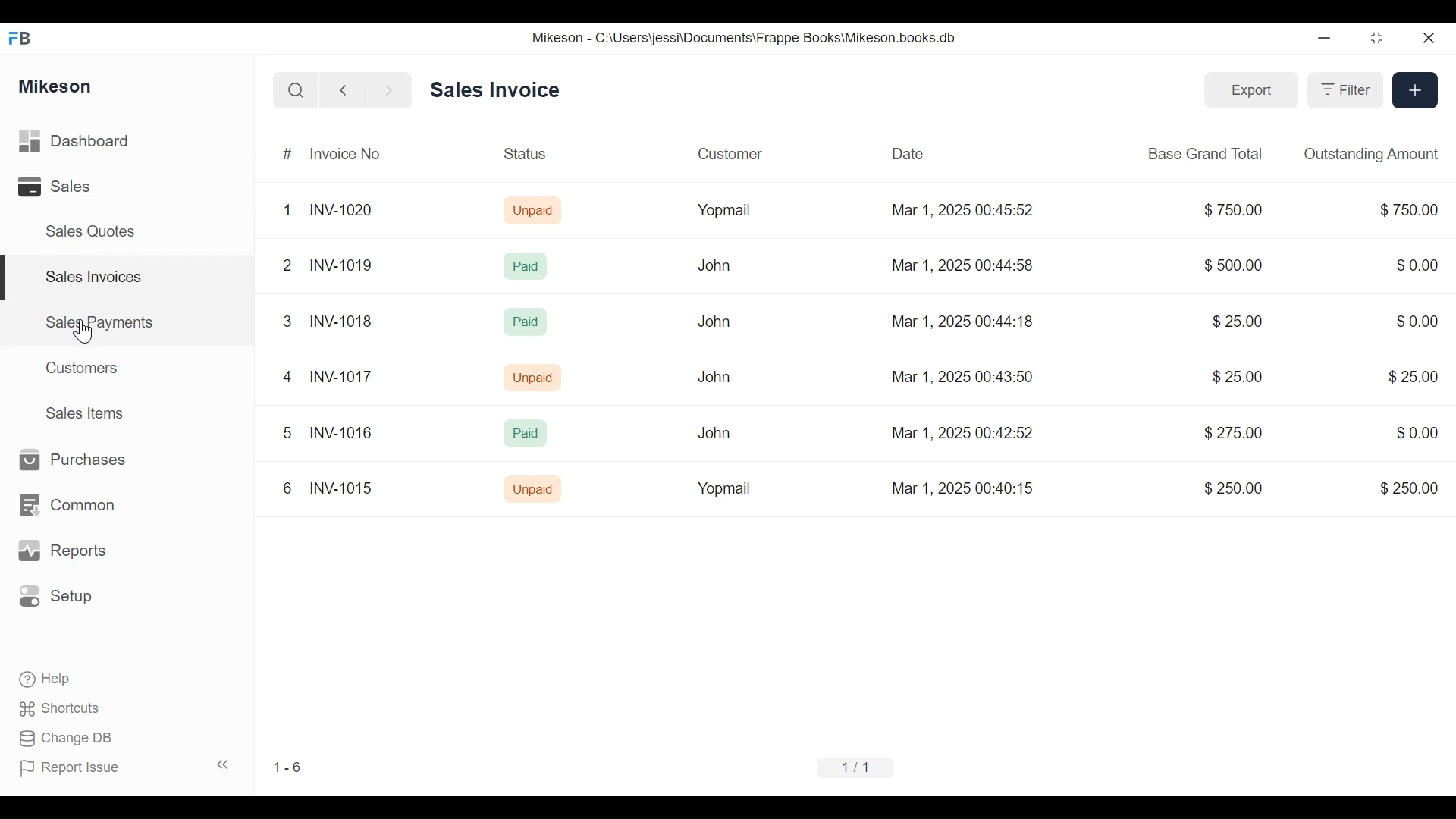 This screenshot has height=819, width=1456. I want to click on Dashboard, so click(99, 142).